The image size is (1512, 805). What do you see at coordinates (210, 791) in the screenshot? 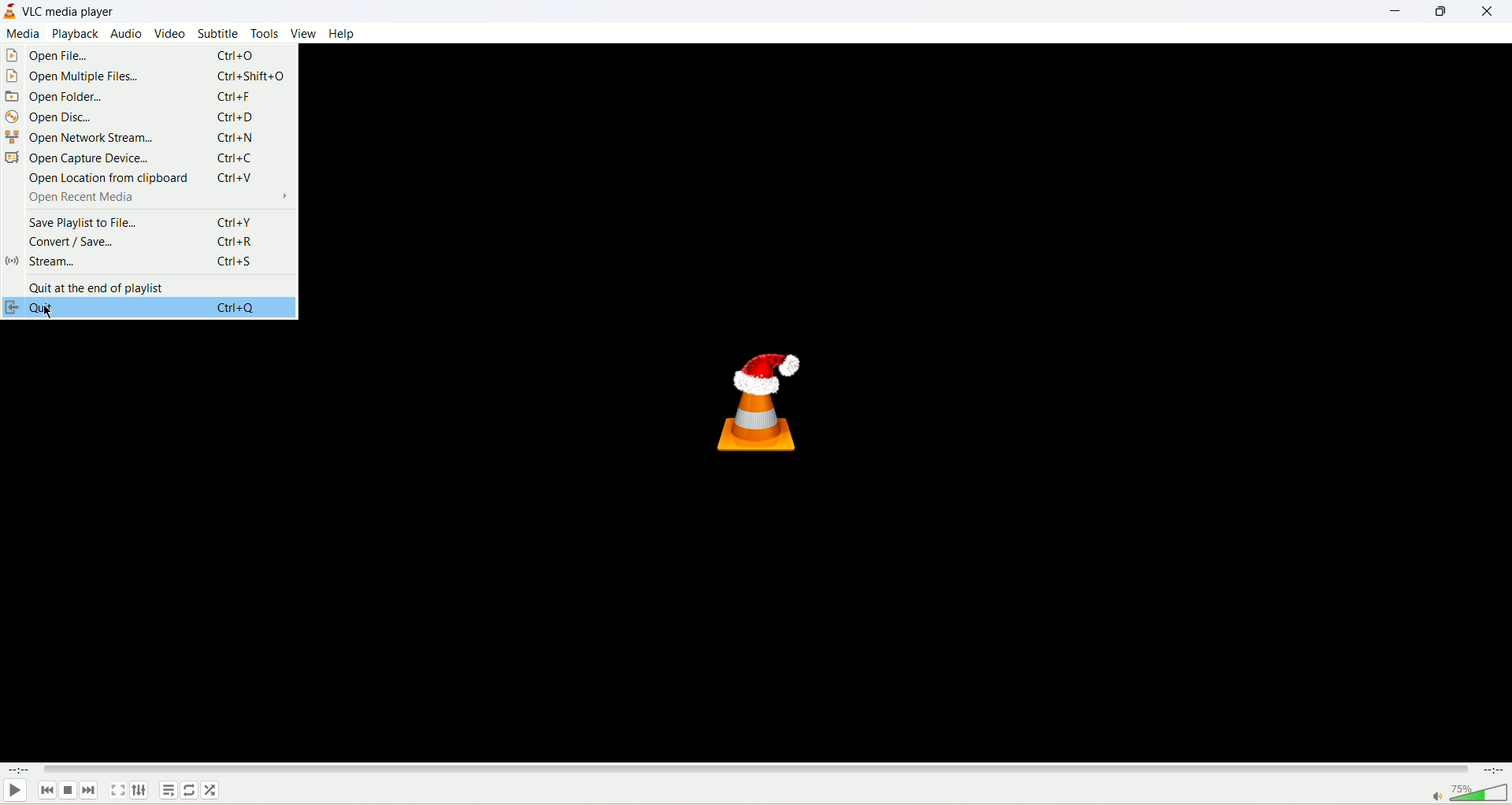
I see `random` at bounding box center [210, 791].